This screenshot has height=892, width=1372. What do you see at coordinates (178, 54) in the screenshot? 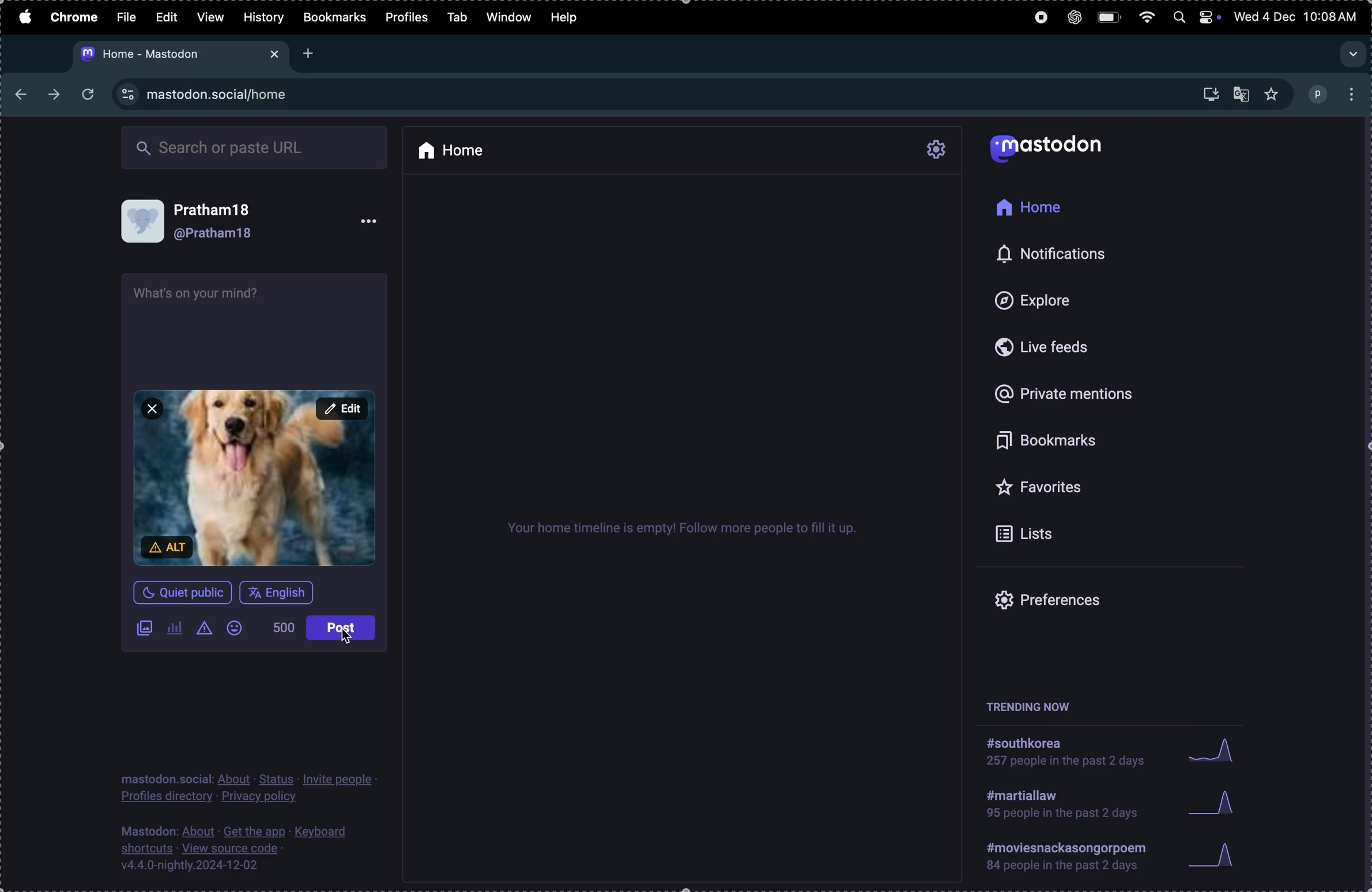
I see `mastodon tab` at bounding box center [178, 54].